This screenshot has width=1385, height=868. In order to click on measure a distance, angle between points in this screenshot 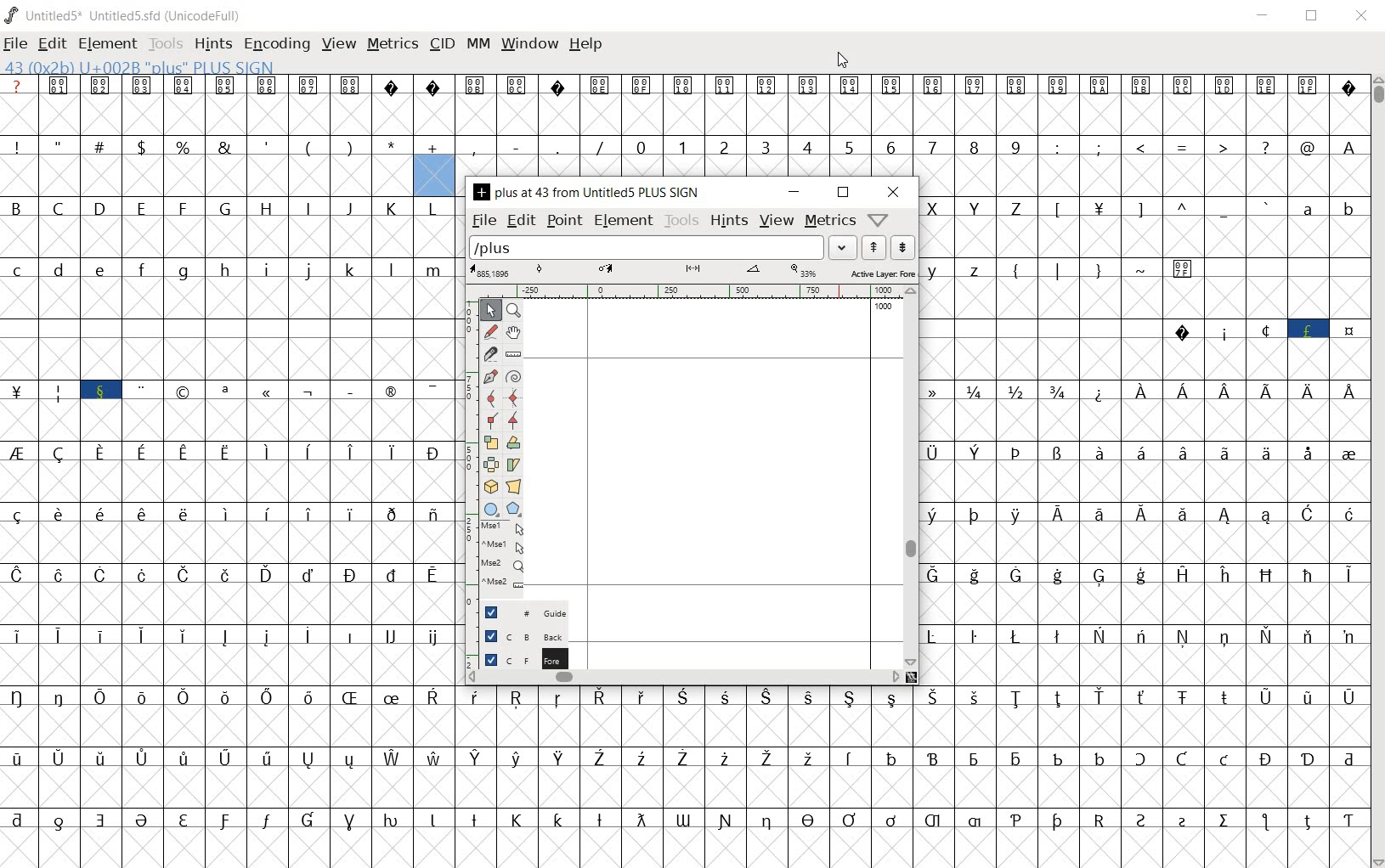, I will do `click(513, 354)`.